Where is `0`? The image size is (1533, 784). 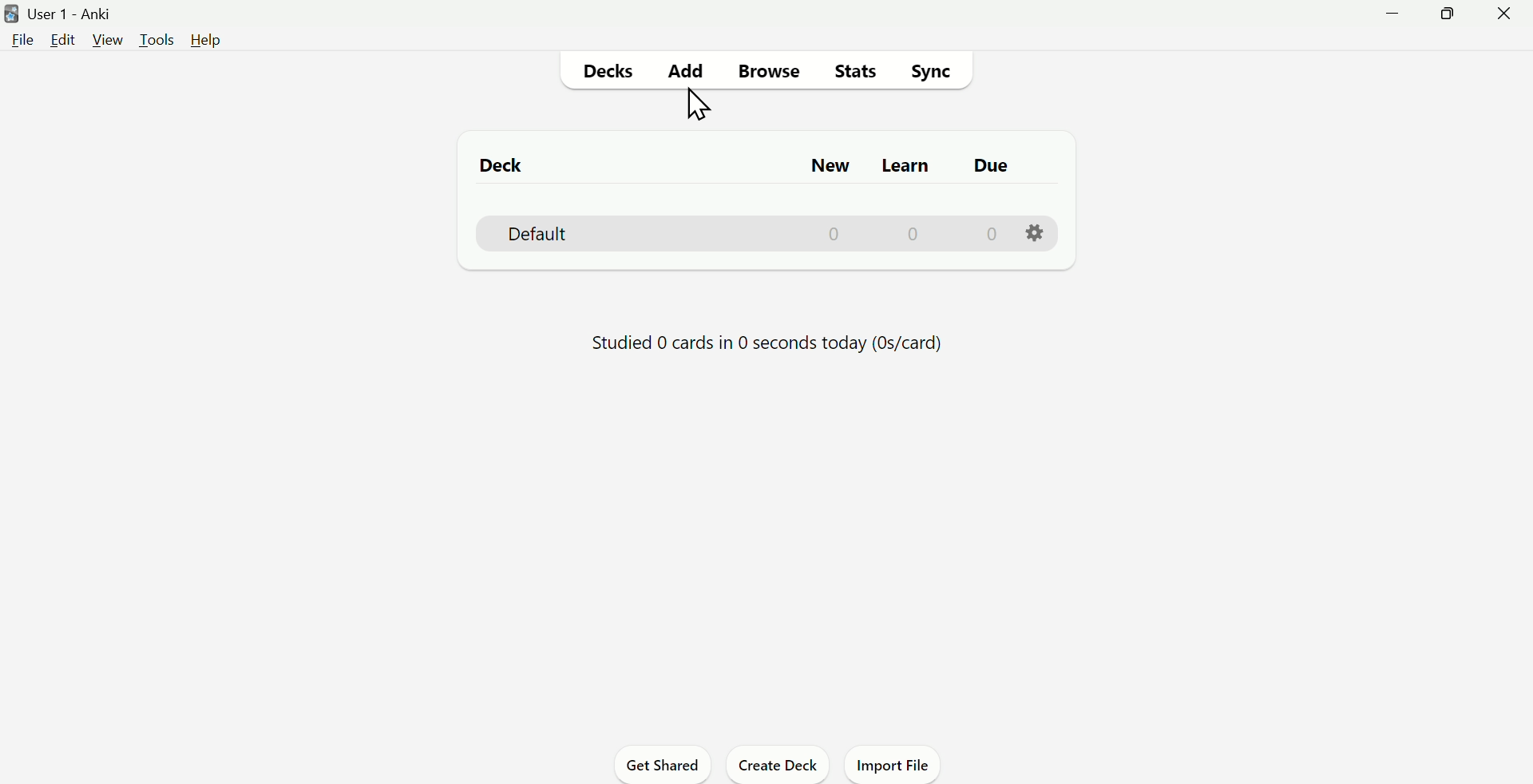 0 is located at coordinates (837, 233).